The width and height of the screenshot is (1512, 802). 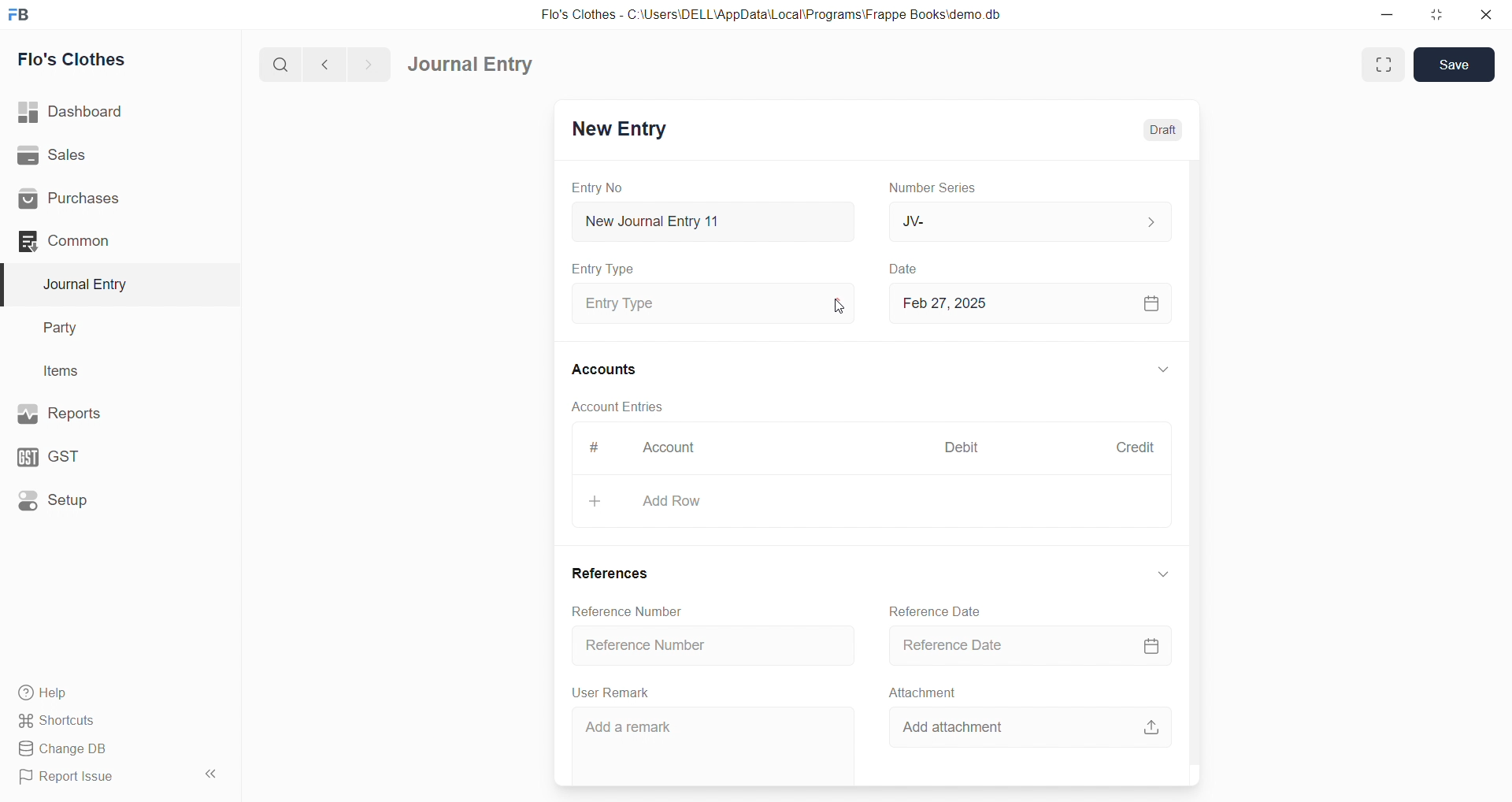 What do you see at coordinates (622, 130) in the screenshot?
I see `New Entry` at bounding box center [622, 130].